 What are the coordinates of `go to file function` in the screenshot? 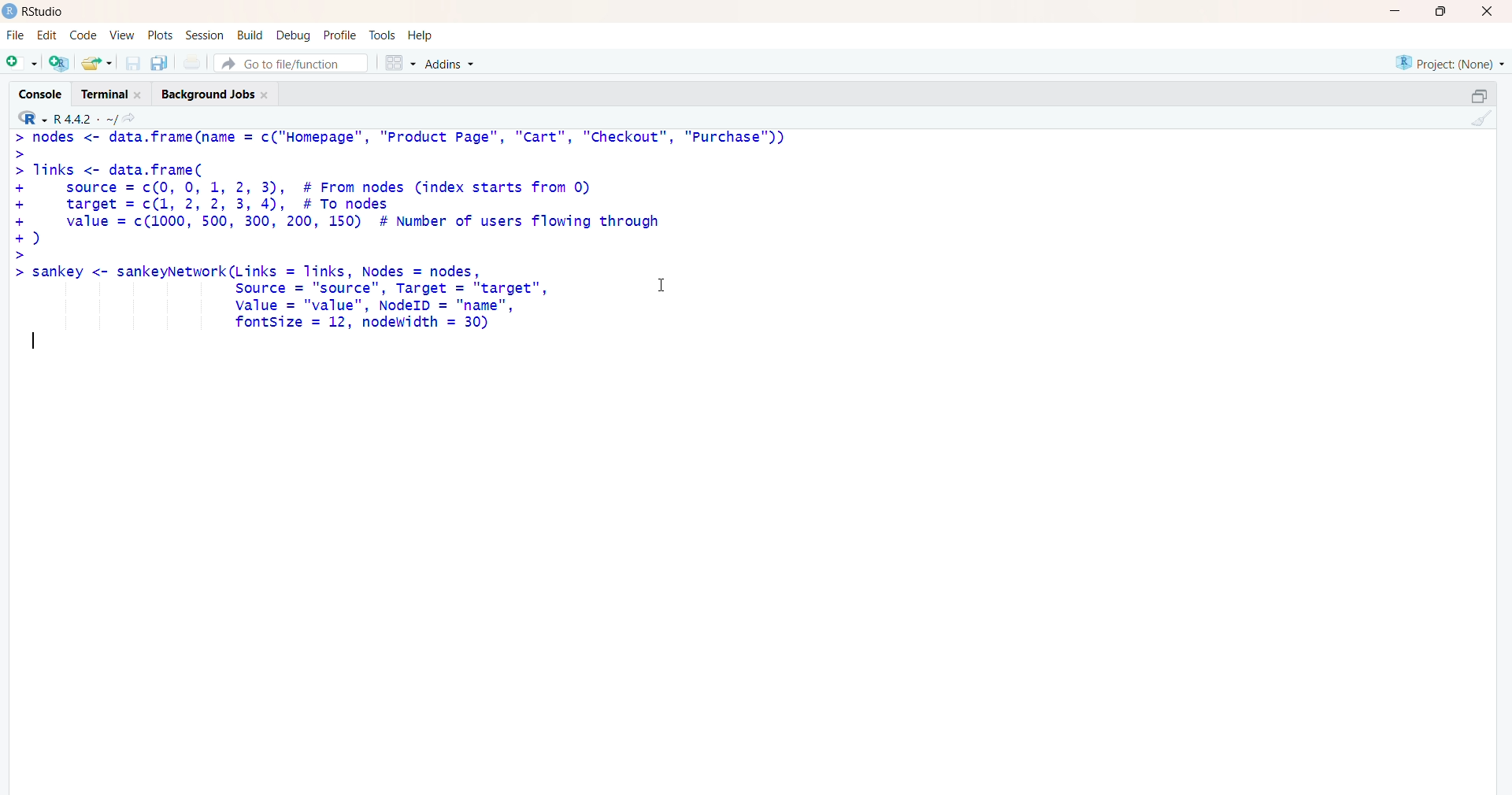 It's located at (291, 63).